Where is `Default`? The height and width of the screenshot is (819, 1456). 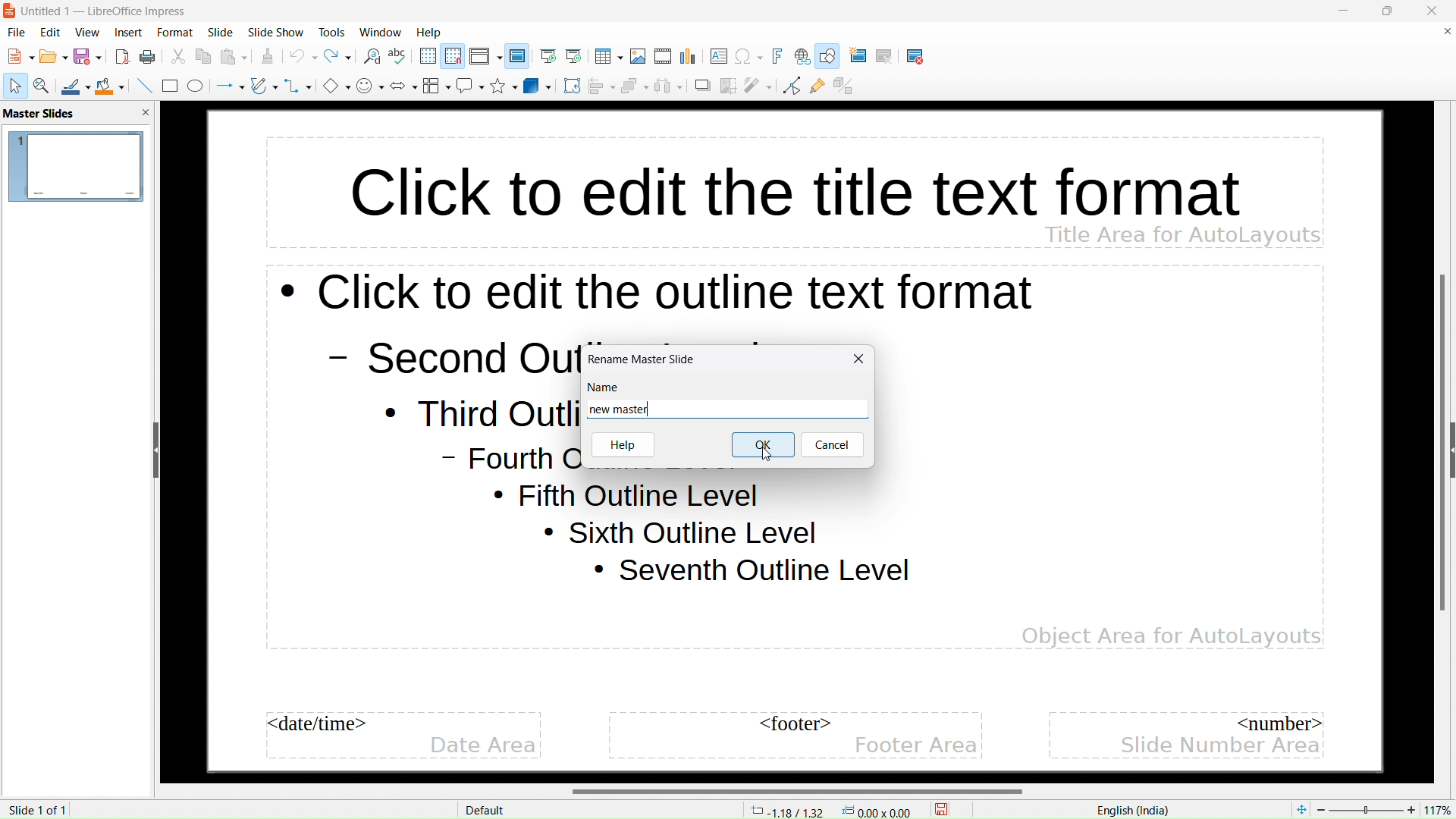 Default is located at coordinates (487, 810).